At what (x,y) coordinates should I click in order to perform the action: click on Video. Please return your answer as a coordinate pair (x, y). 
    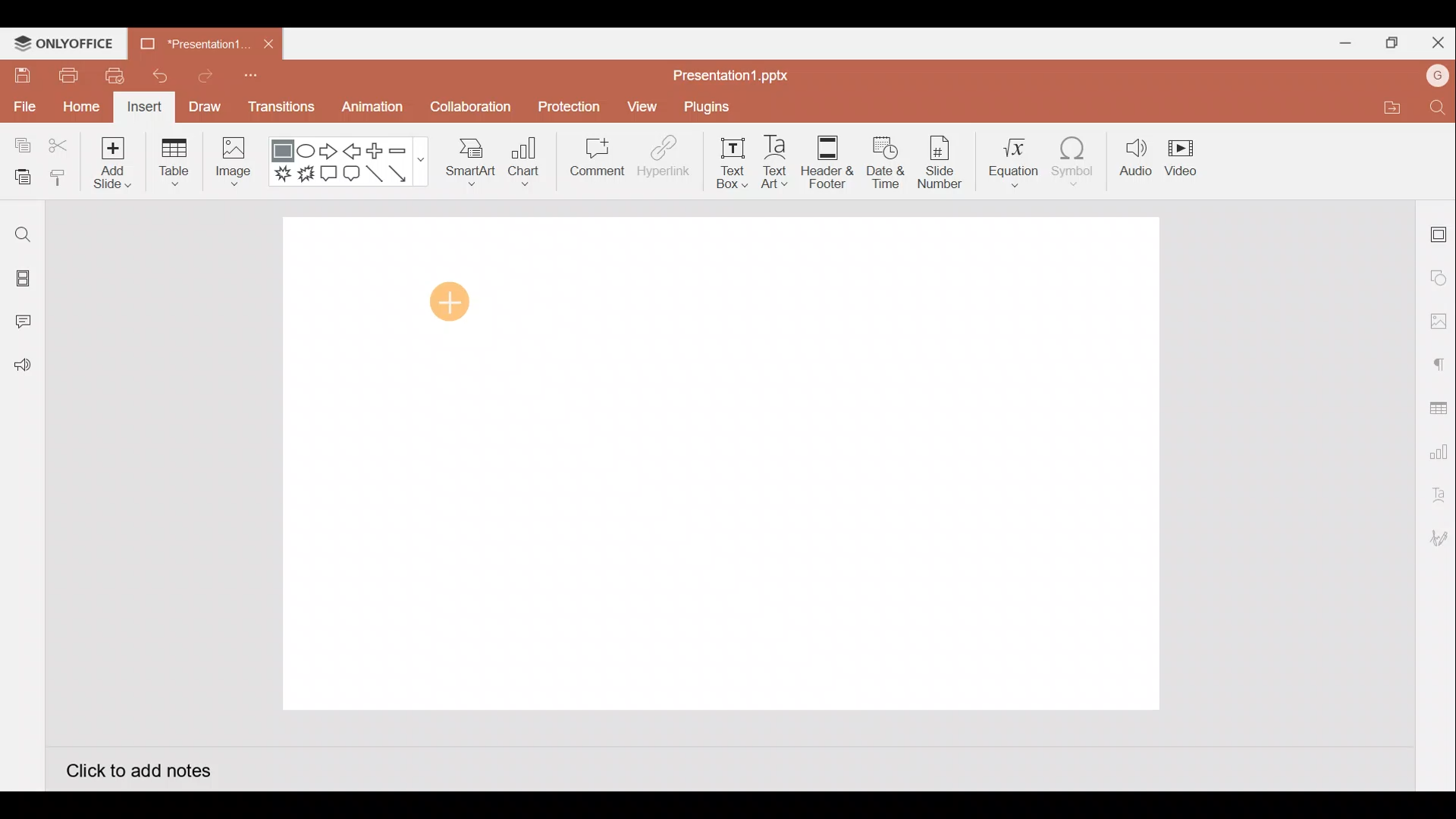
    Looking at the image, I should click on (1183, 155).